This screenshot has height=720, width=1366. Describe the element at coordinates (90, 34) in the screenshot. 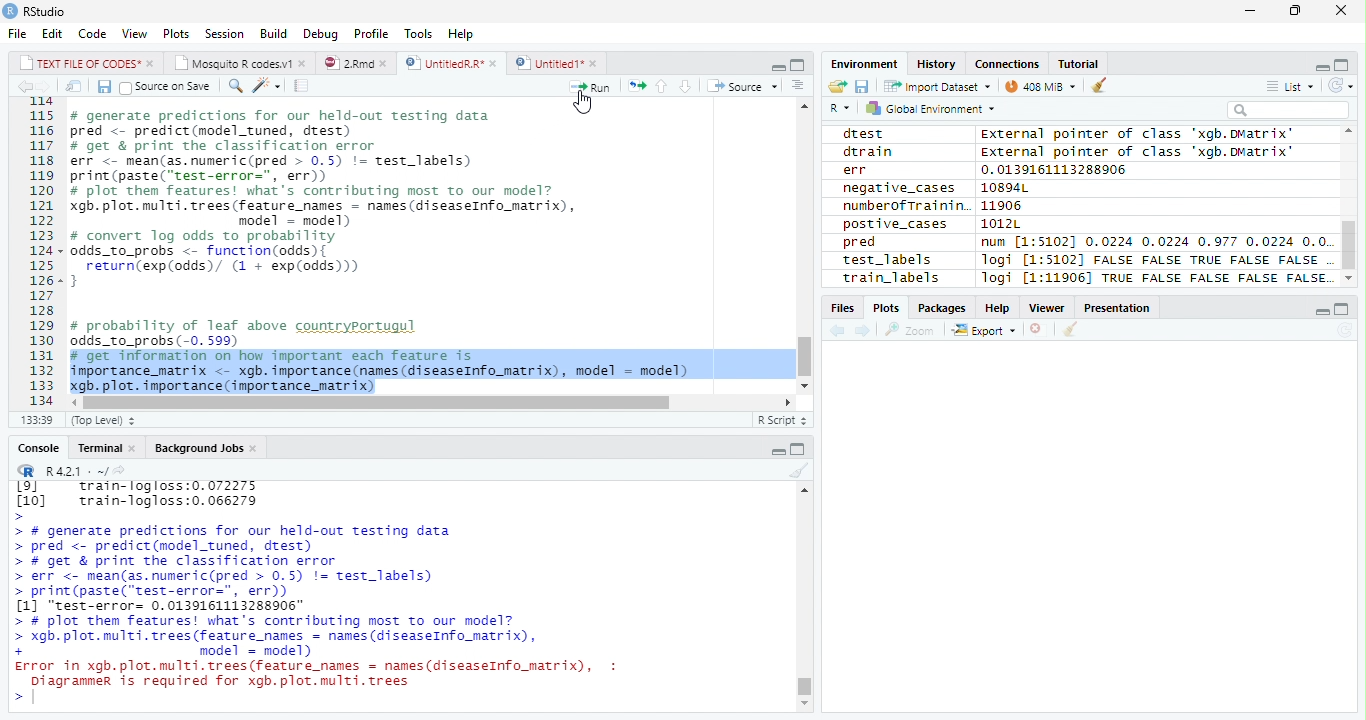

I see `Code` at that location.